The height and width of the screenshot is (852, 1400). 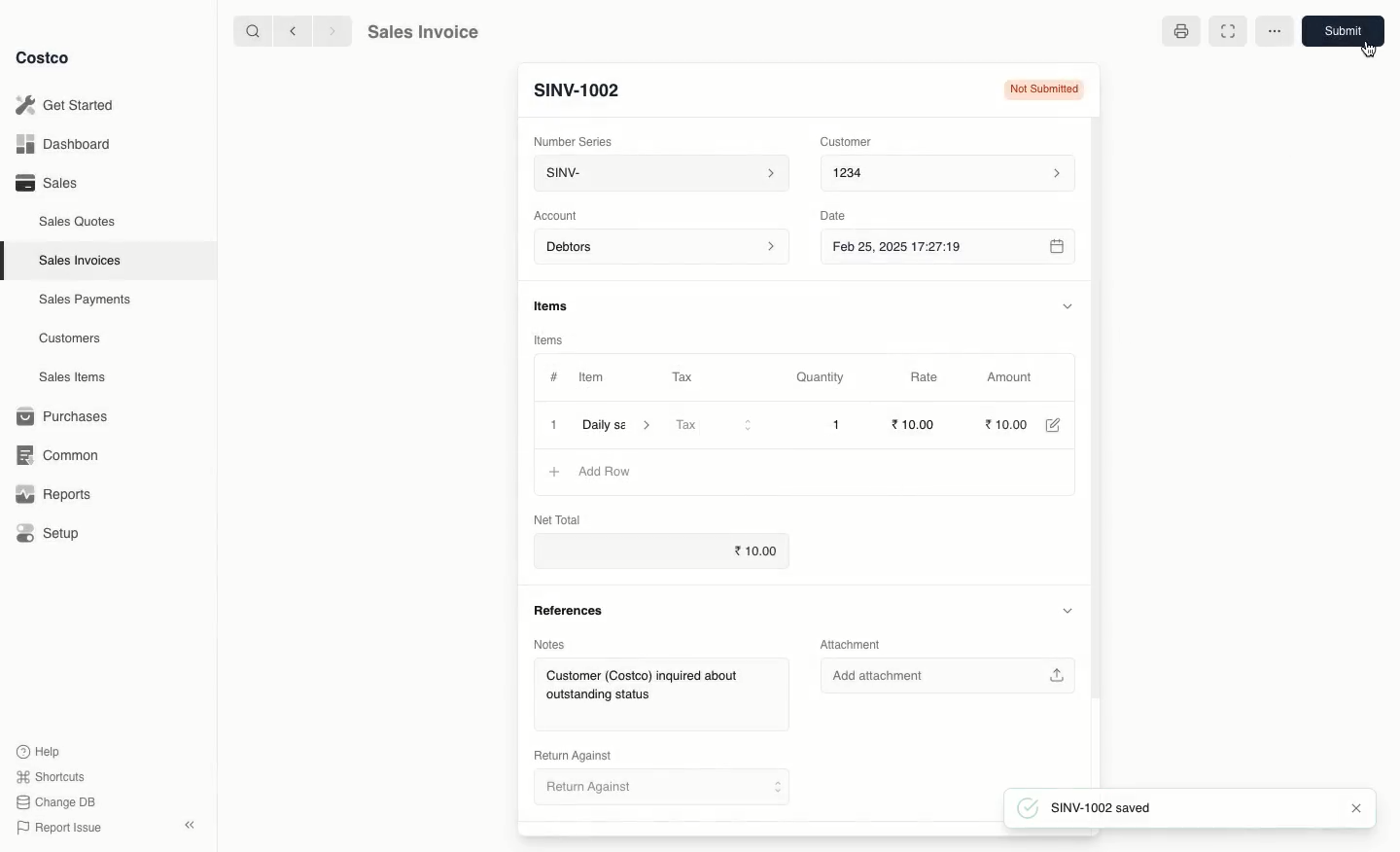 I want to click on Items, so click(x=549, y=337).